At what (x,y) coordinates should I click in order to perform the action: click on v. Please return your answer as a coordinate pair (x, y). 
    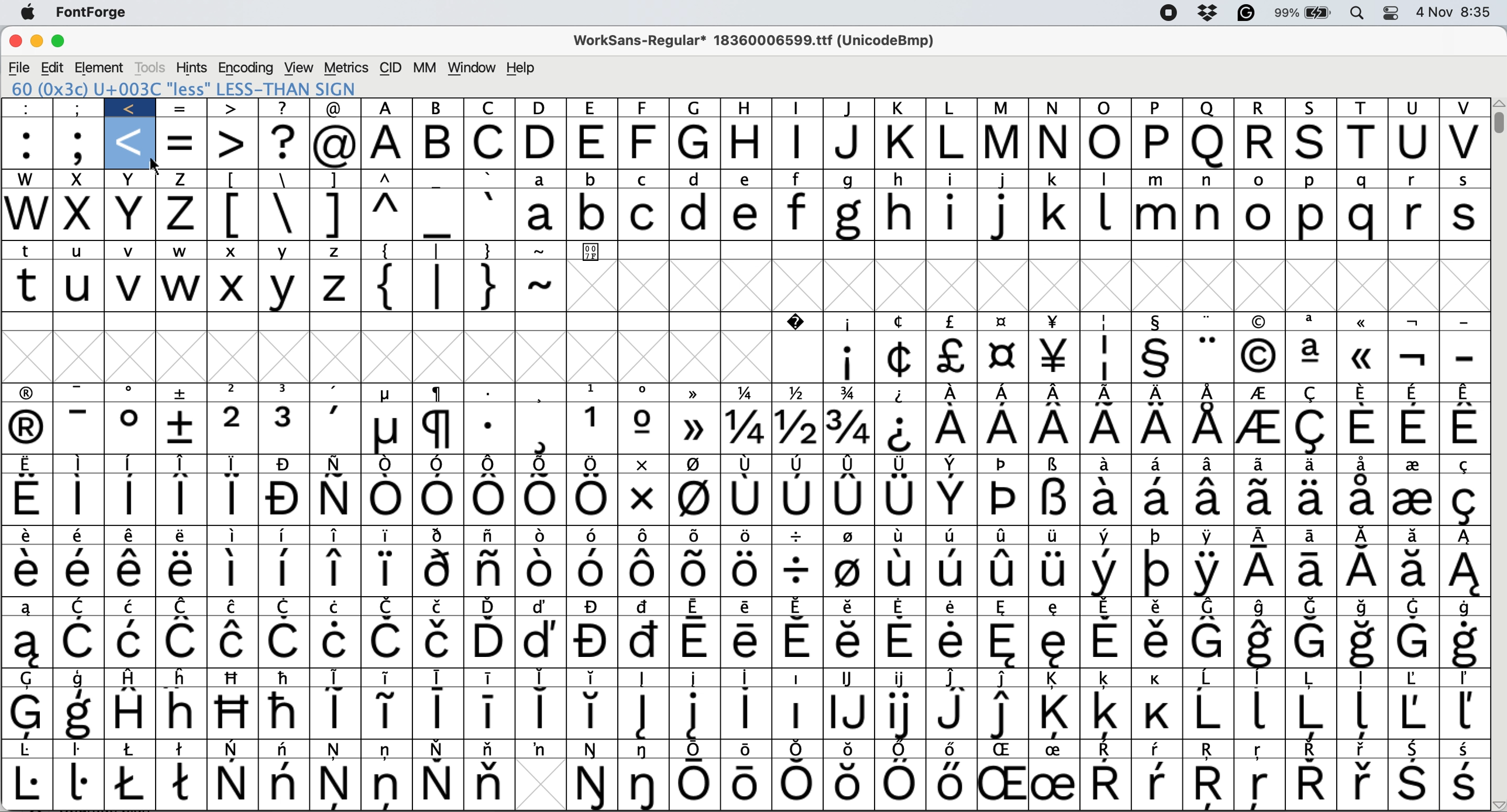
    Looking at the image, I should click on (135, 250).